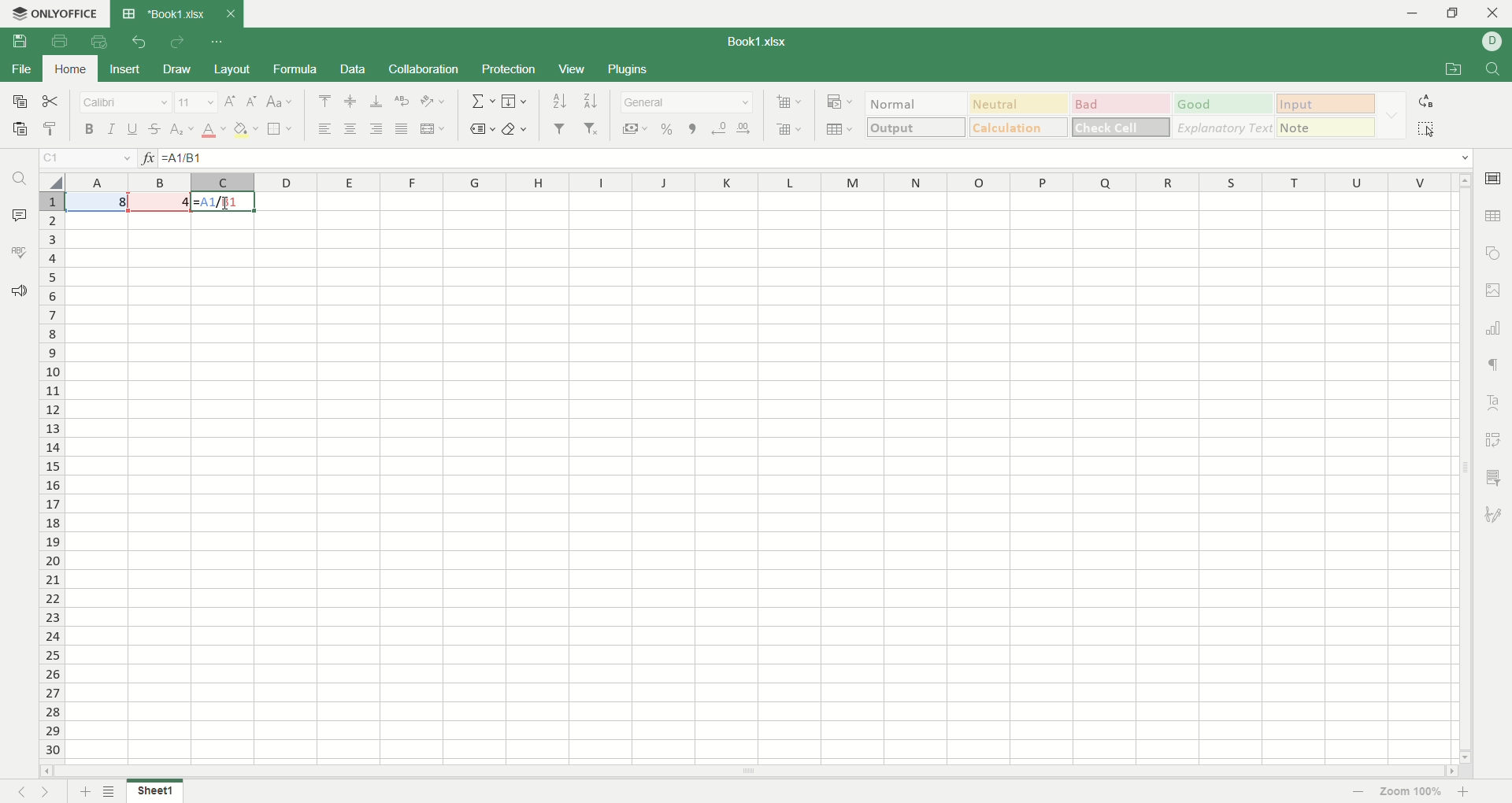 This screenshot has height=803, width=1512. Describe the element at coordinates (1222, 127) in the screenshot. I see `explanatory text` at that location.